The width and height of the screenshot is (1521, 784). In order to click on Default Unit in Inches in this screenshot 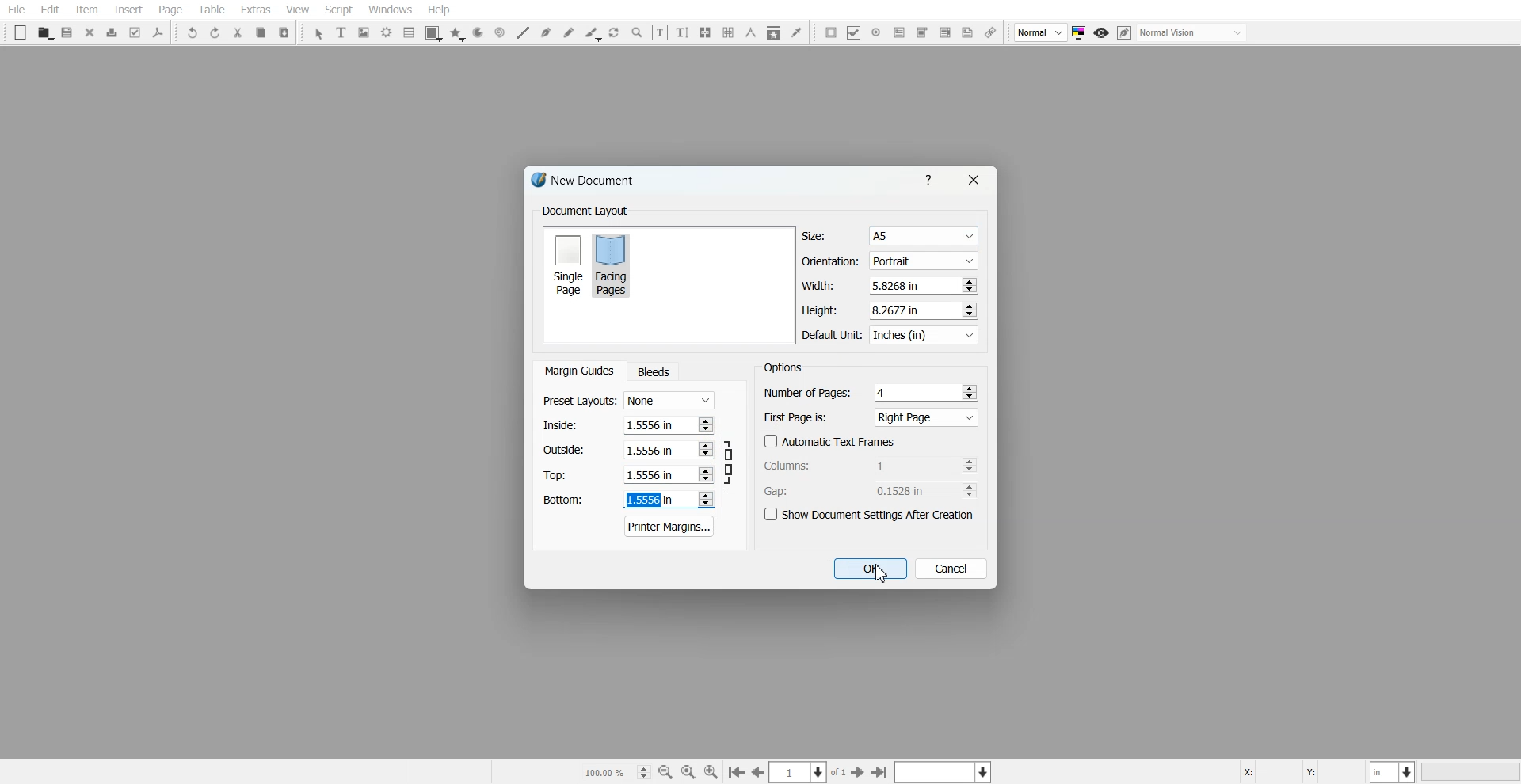, I will do `click(891, 336)`.